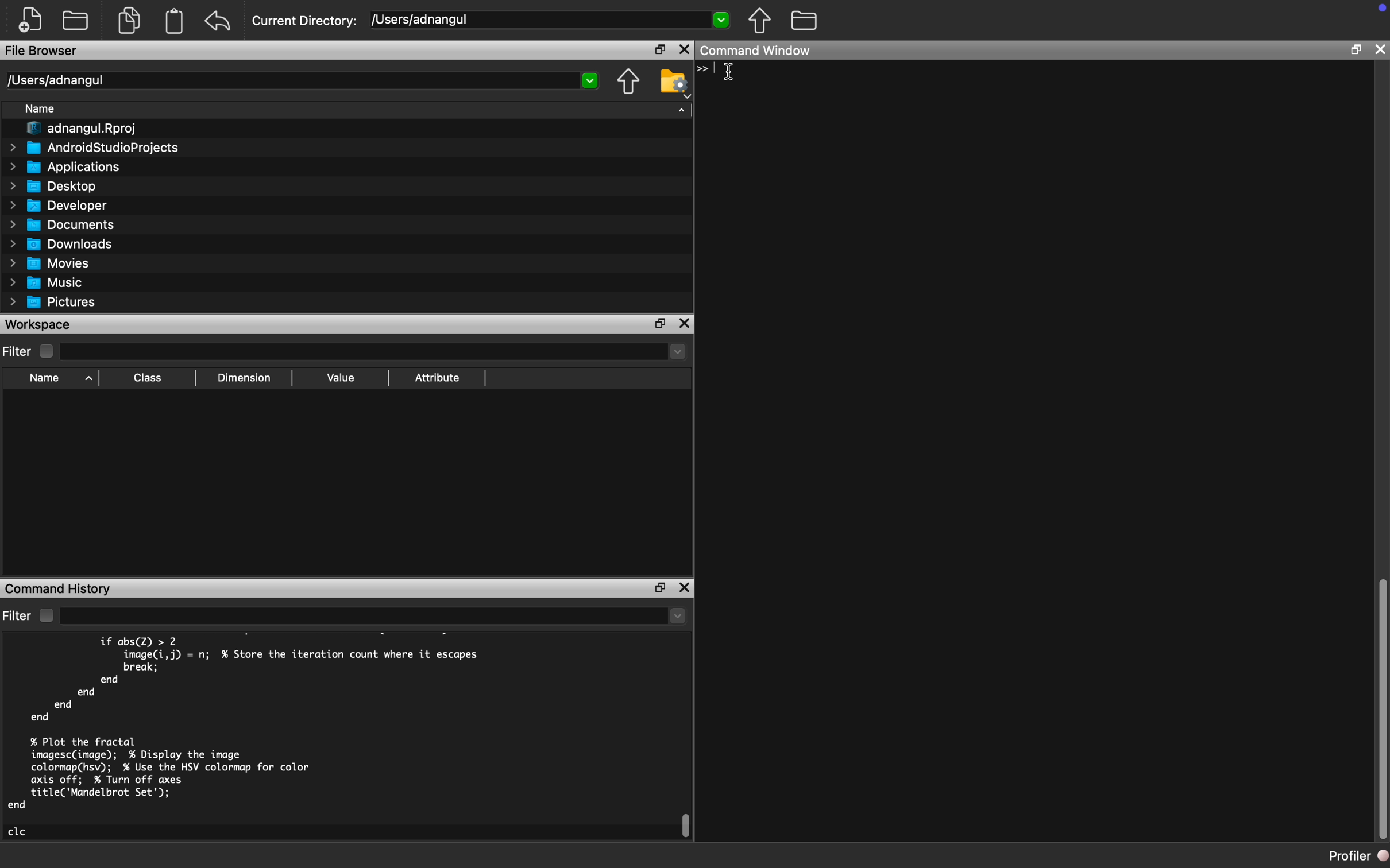 This screenshot has height=868, width=1390. I want to click on Scroll, so click(1380, 708).